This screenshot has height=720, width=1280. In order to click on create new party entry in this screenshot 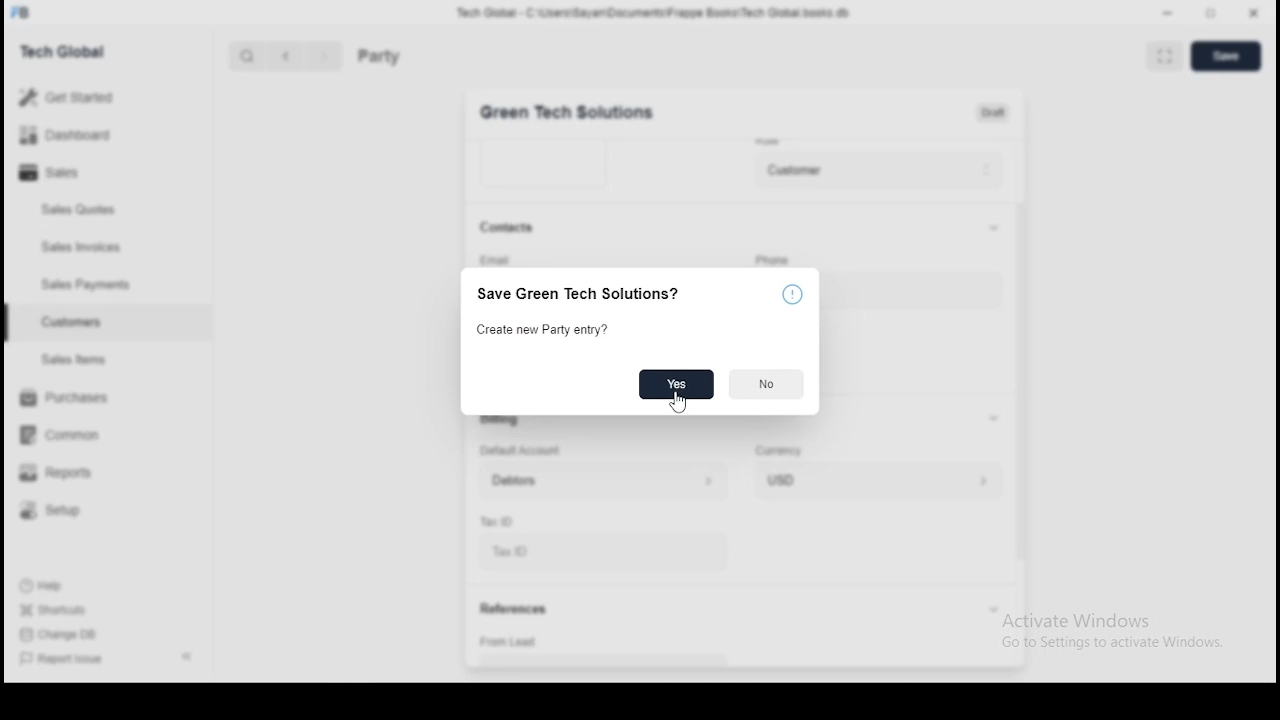, I will do `click(552, 330)`.